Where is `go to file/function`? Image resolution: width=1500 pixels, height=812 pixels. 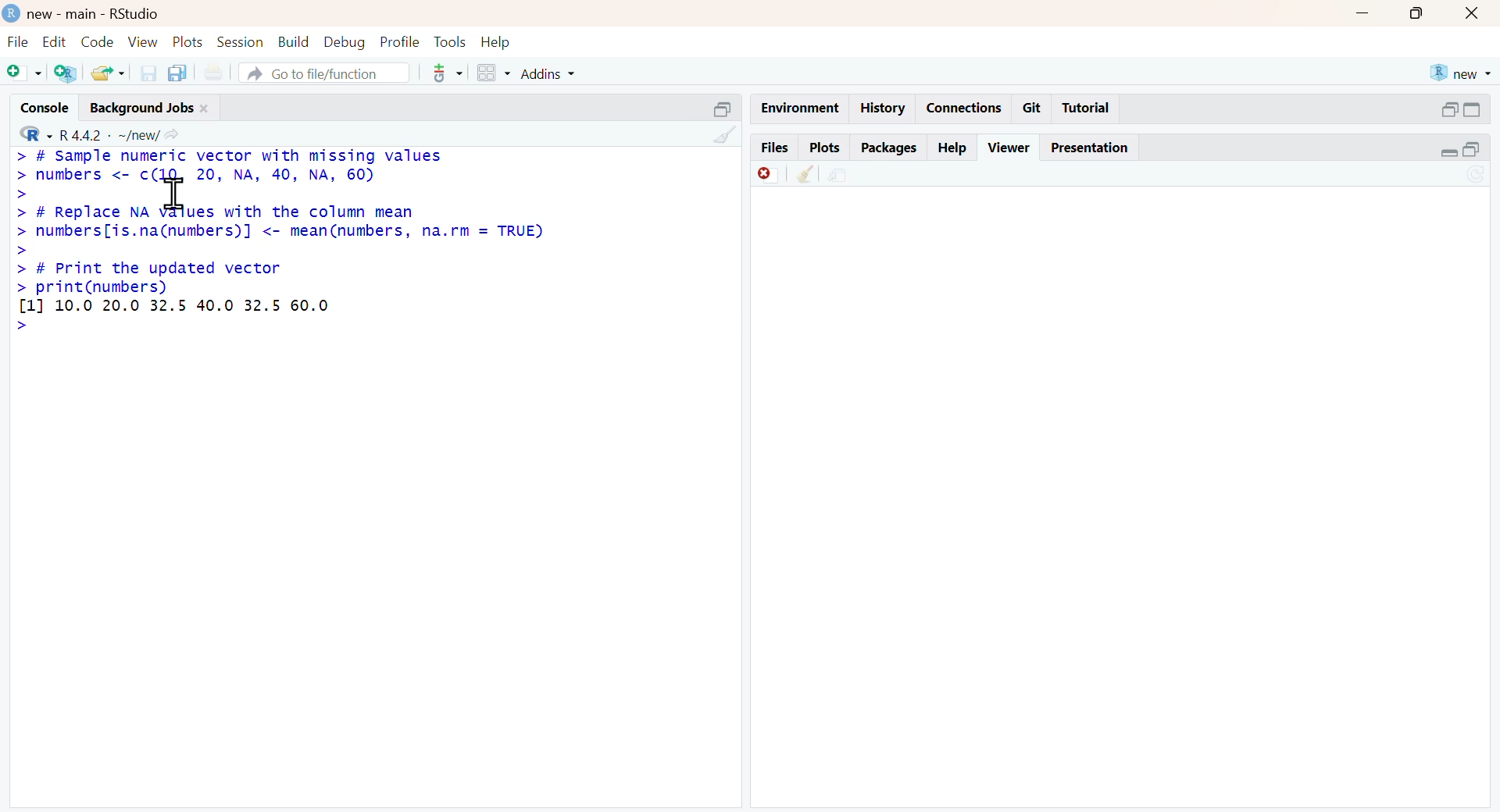 go to file/function is located at coordinates (325, 73).